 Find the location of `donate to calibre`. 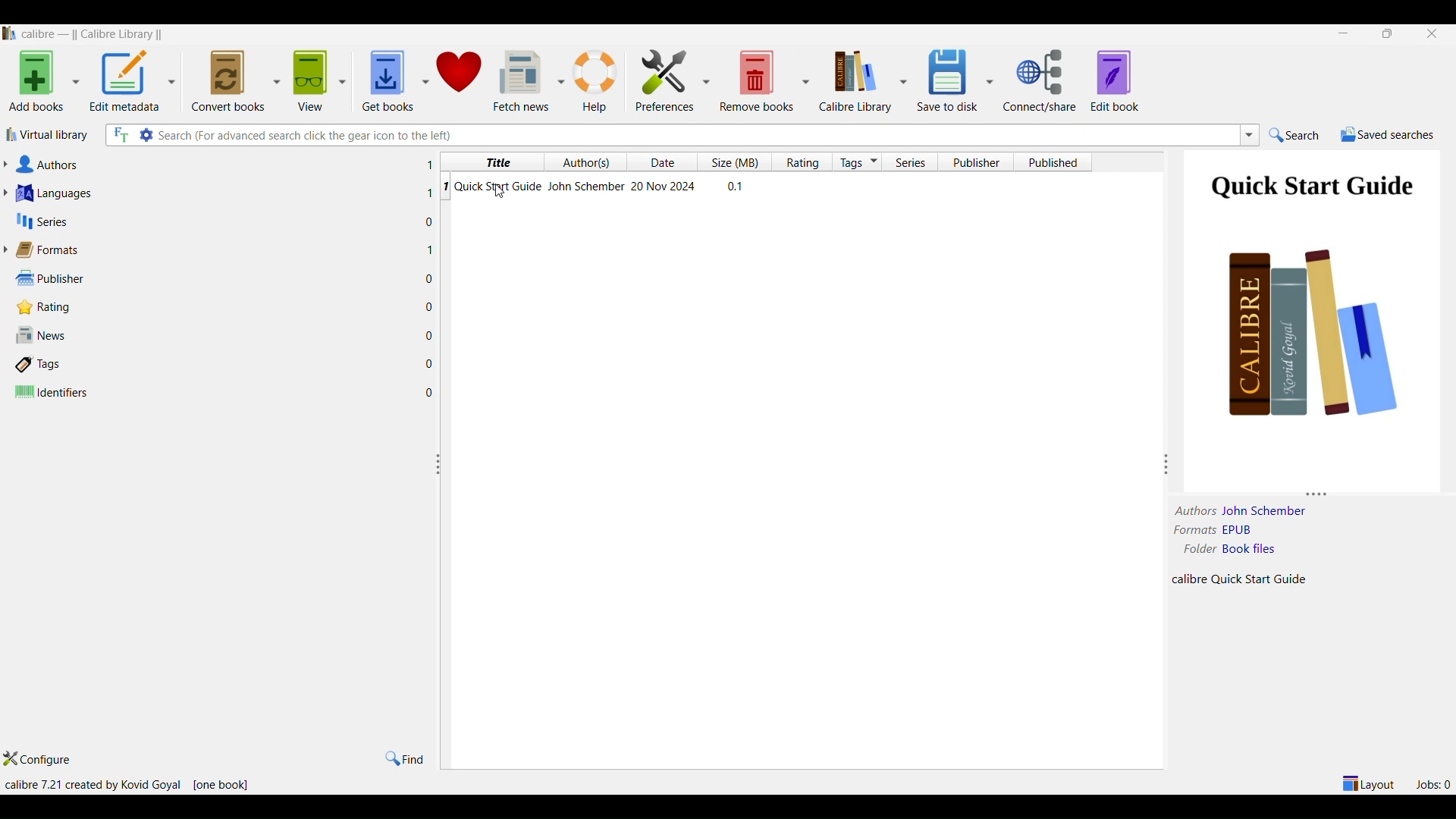

donate to calibre is located at coordinates (461, 78).